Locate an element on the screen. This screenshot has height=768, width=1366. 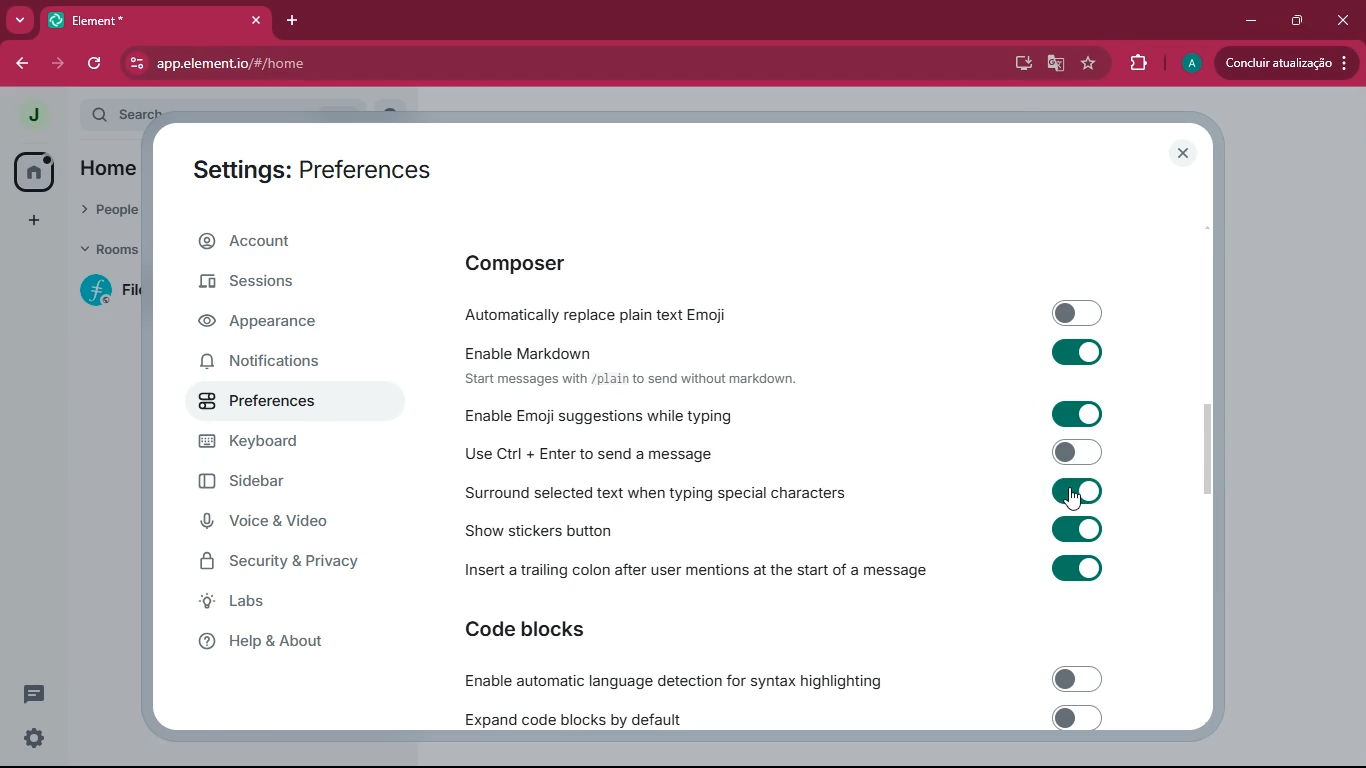
composer is located at coordinates (574, 263).